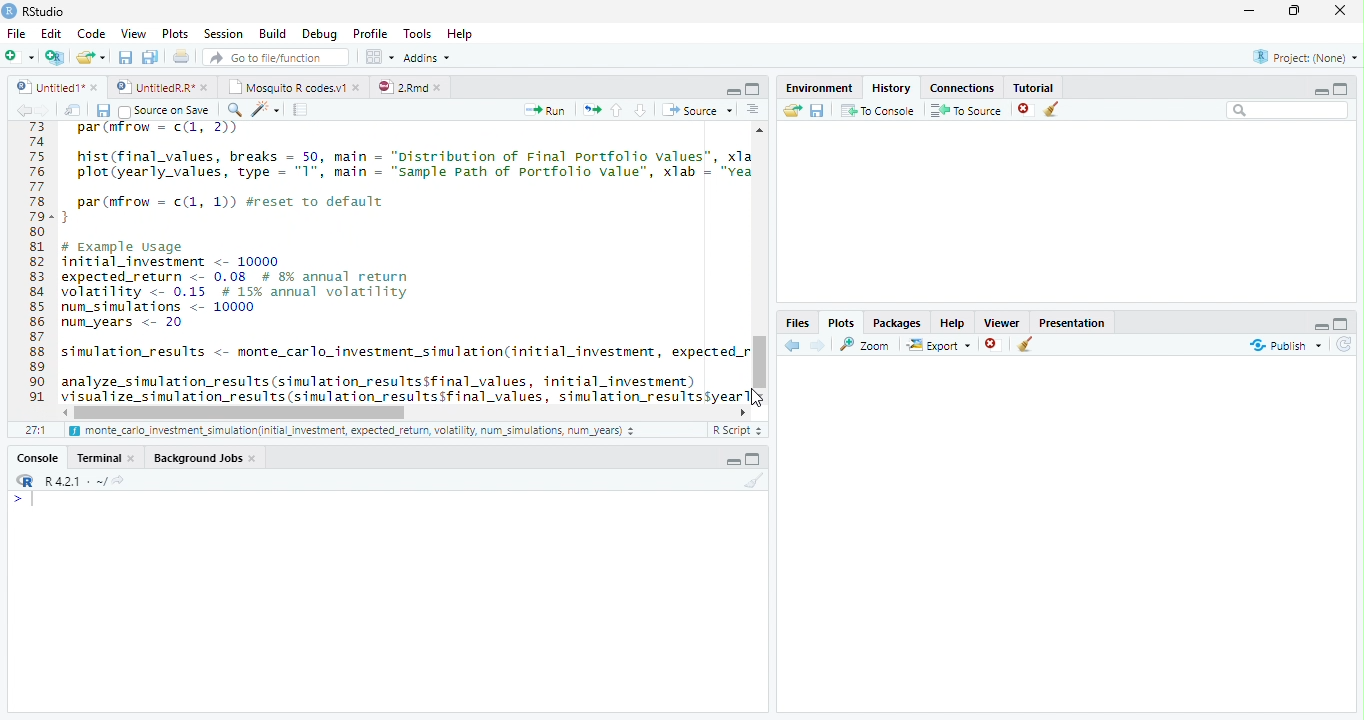  Describe the element at coordinates (274, 57) in the screenshot. I see `Go to file/function` at that location.